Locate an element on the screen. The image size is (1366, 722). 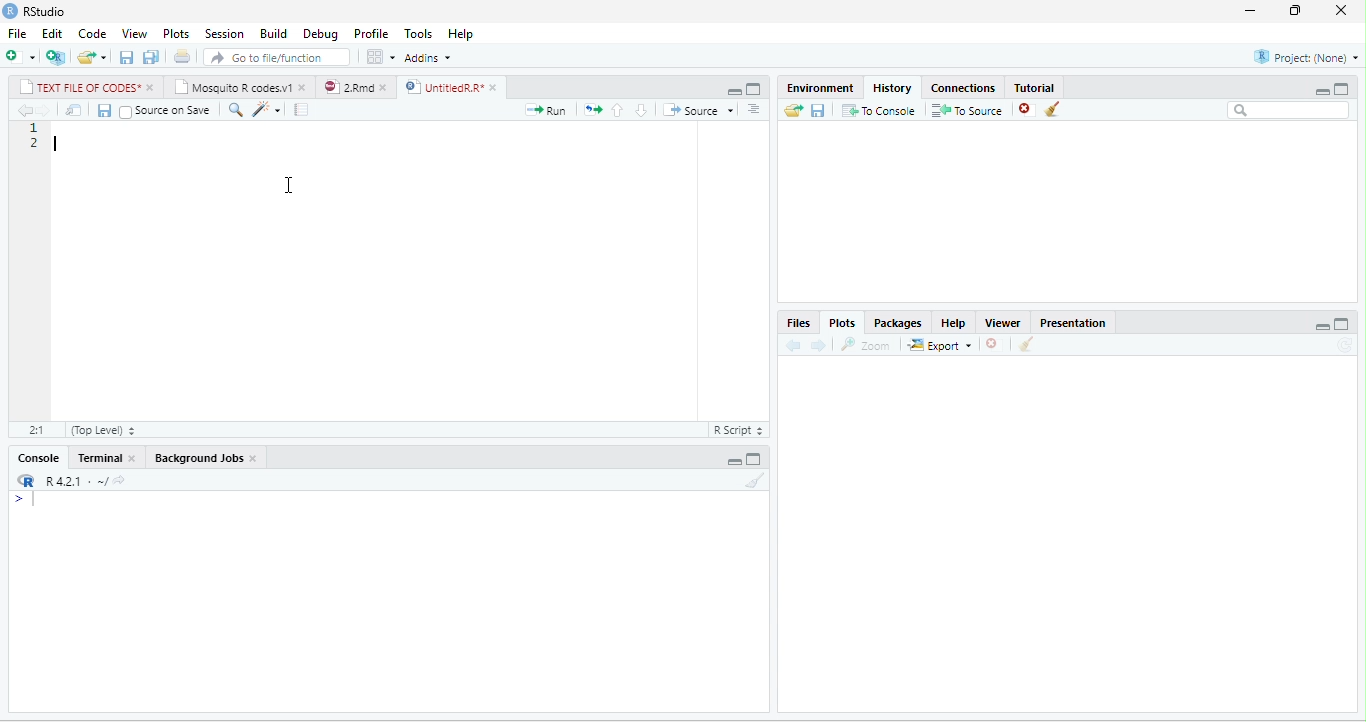
rerun is located at coordinates (593, 110).